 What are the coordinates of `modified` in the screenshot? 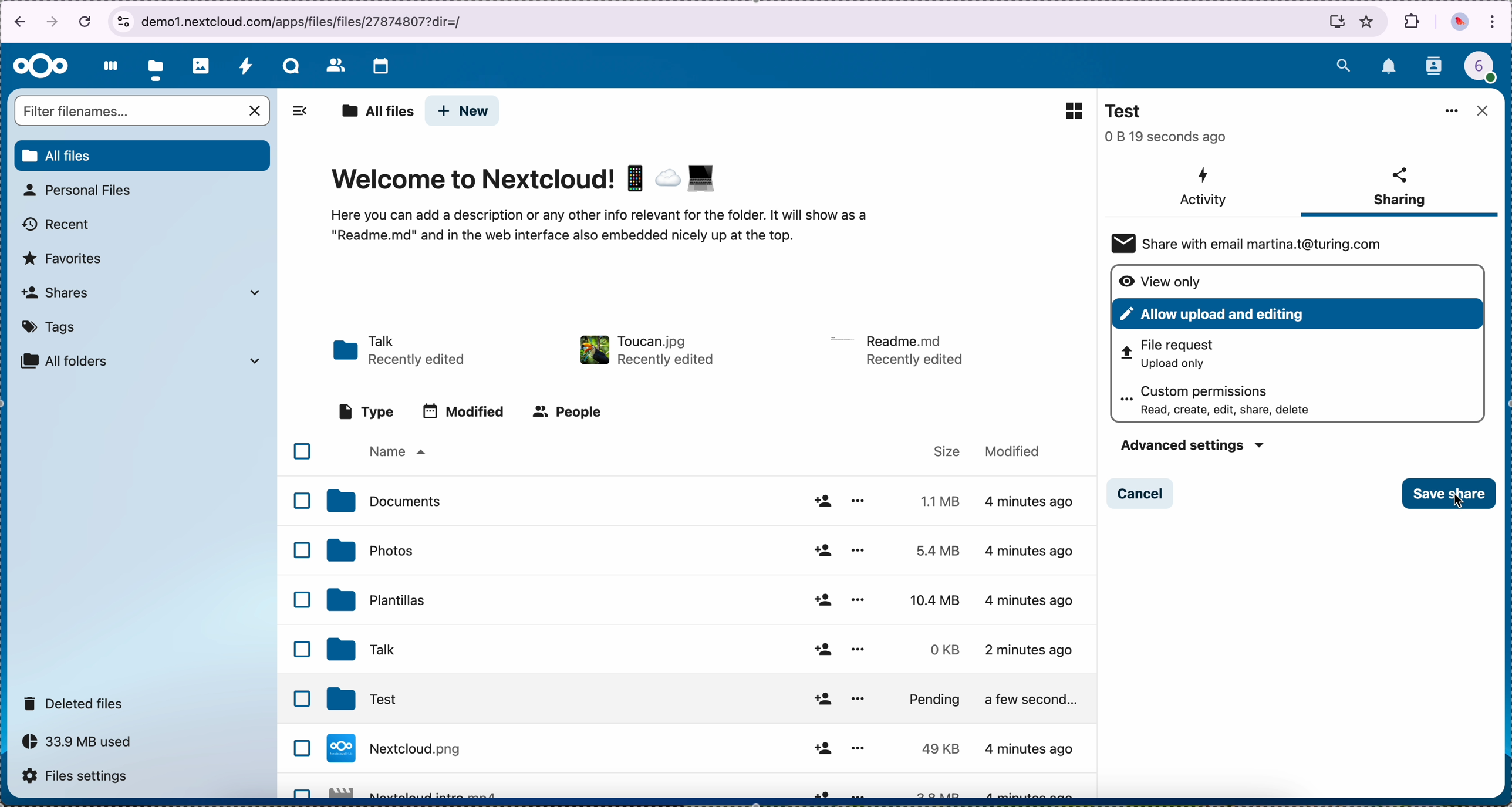 It's located at (1020, 453).